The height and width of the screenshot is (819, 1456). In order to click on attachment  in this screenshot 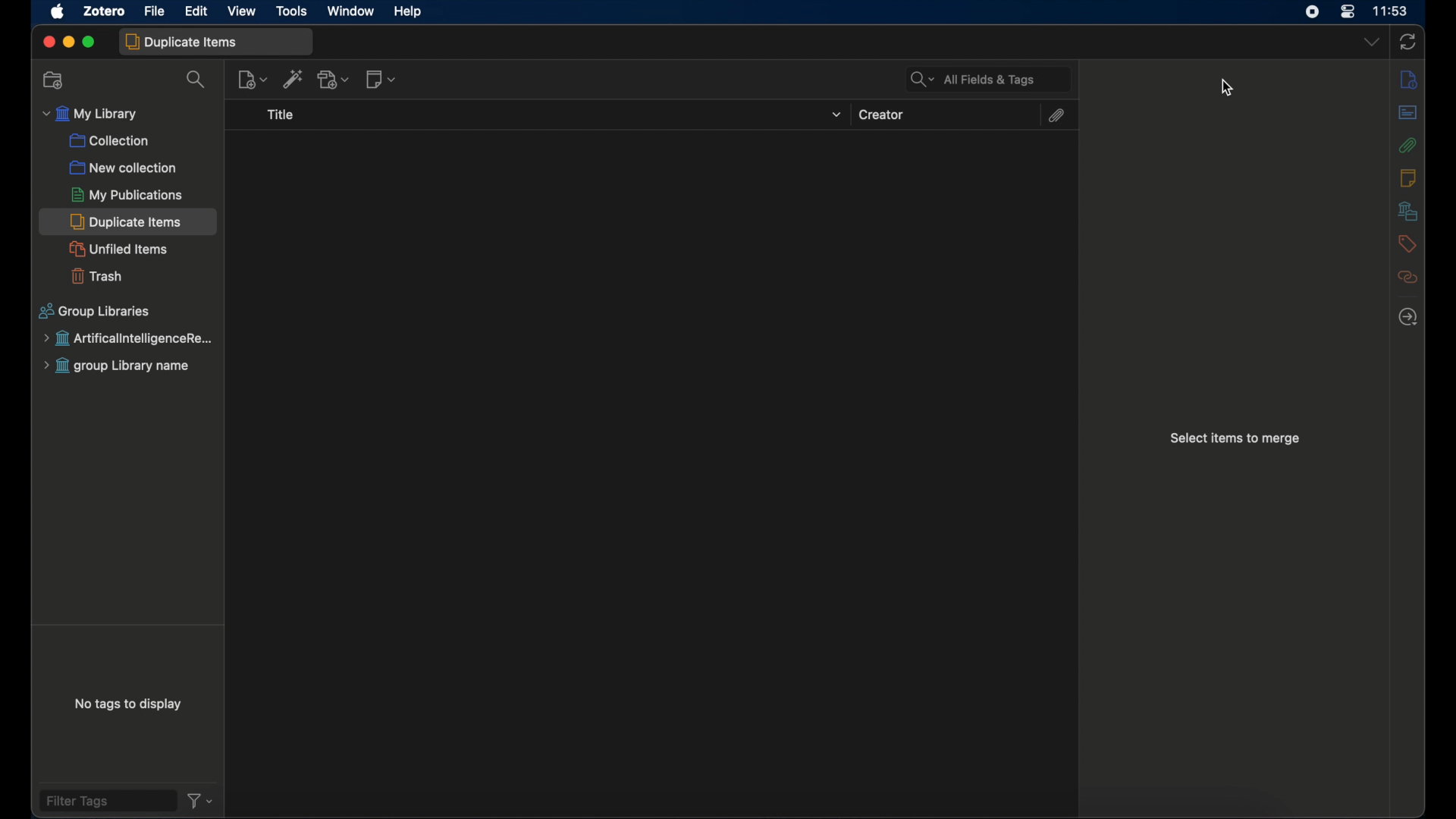, I will do `click(1056, 118)`.